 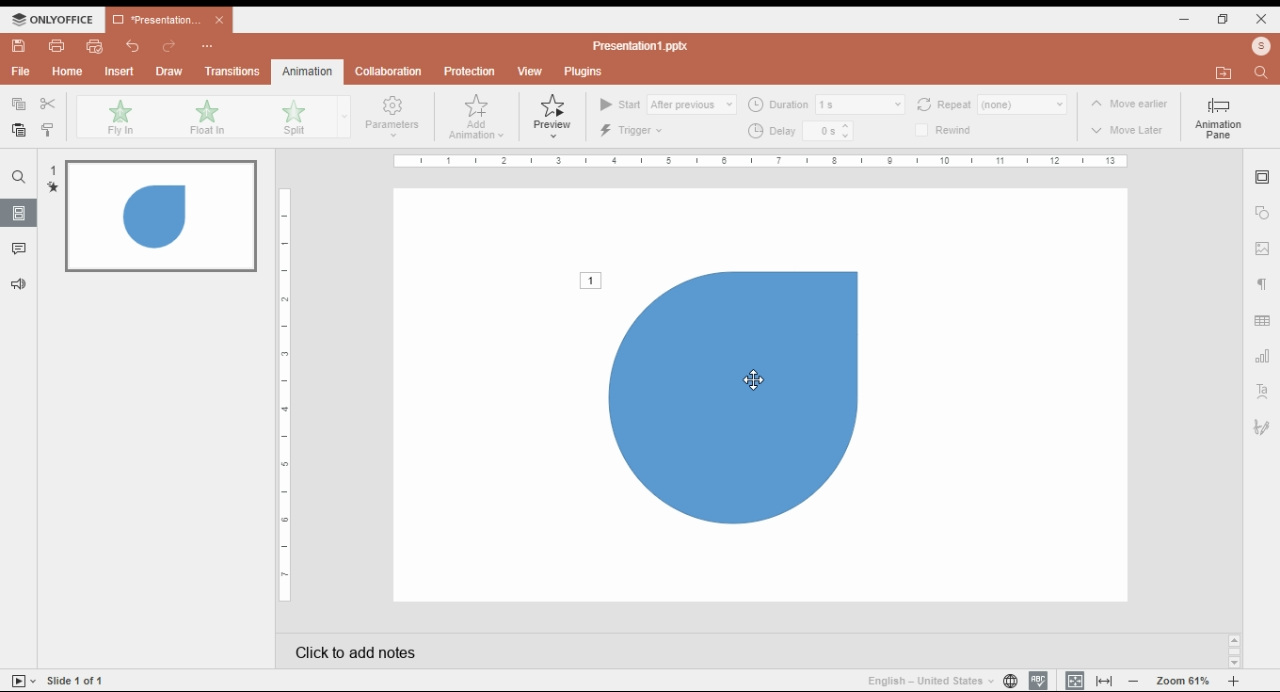 What do you see at coordinates (23, 281) in the screenshot?
I see `feedback and supportslide ` at bounding box center [23, 281].